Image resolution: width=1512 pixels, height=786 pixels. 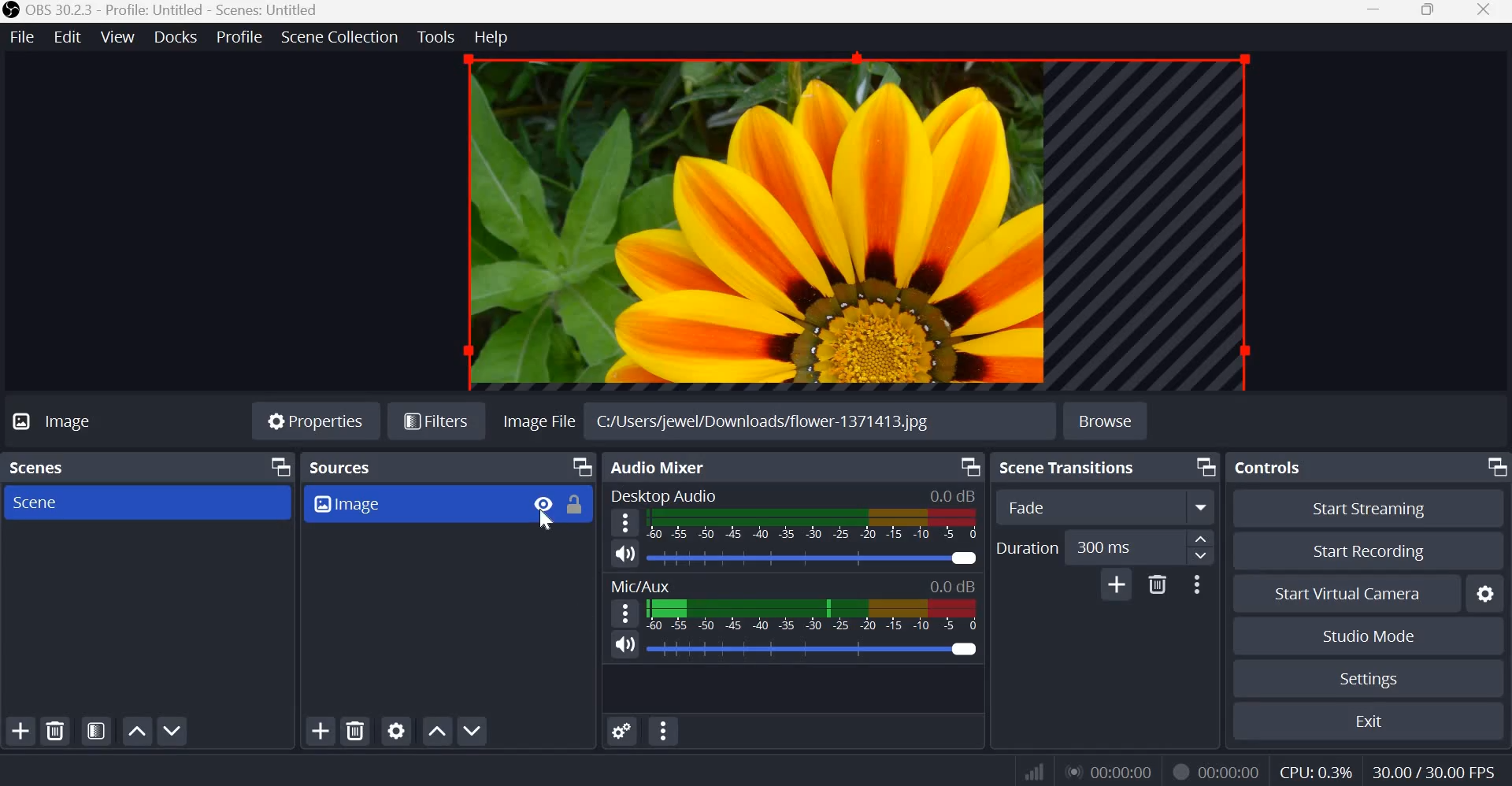 I want to click on decrease duration, so click(x=1200, y=556).